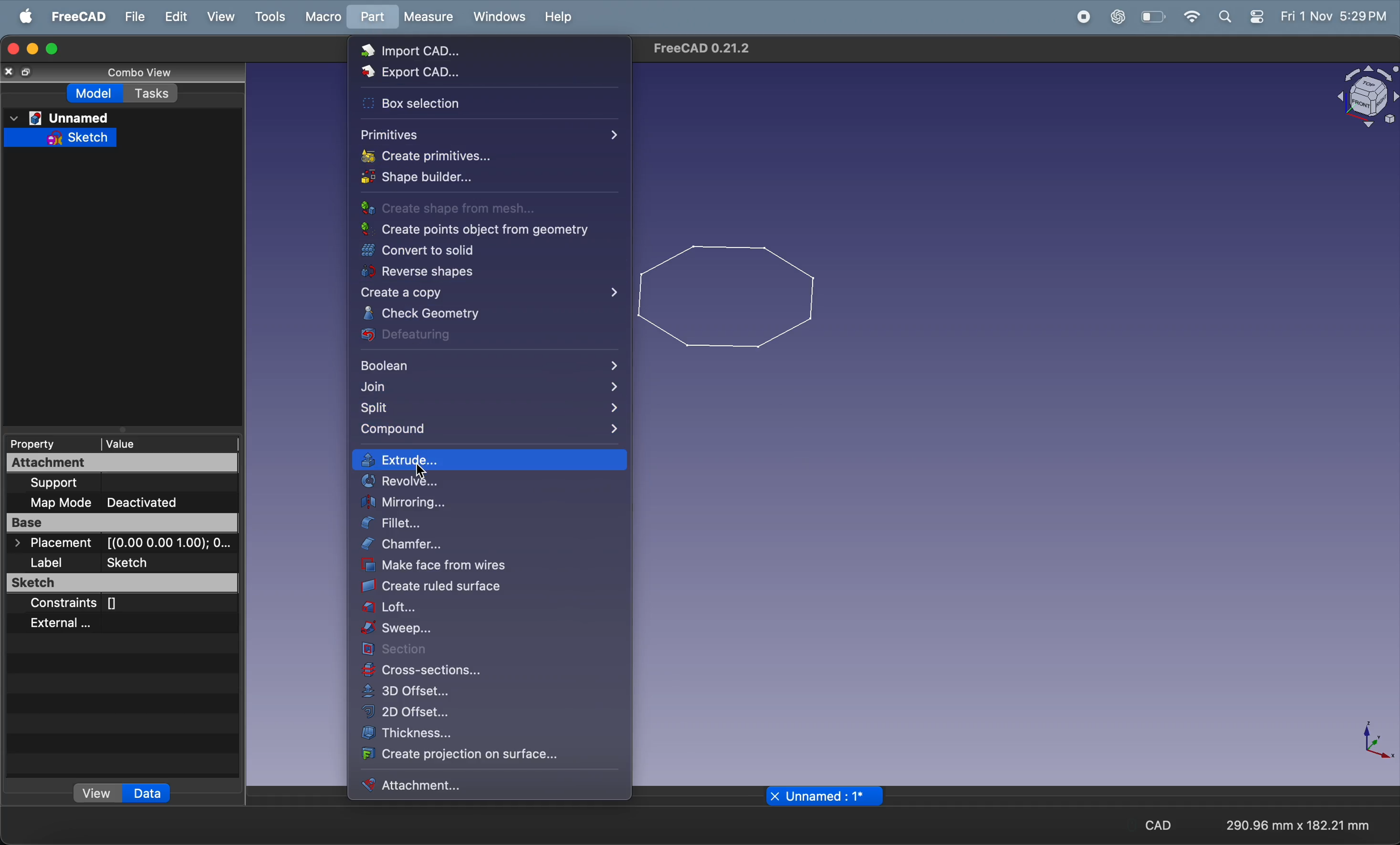 The image size is (1400, 845). I want to click on view, so click(220, 16).